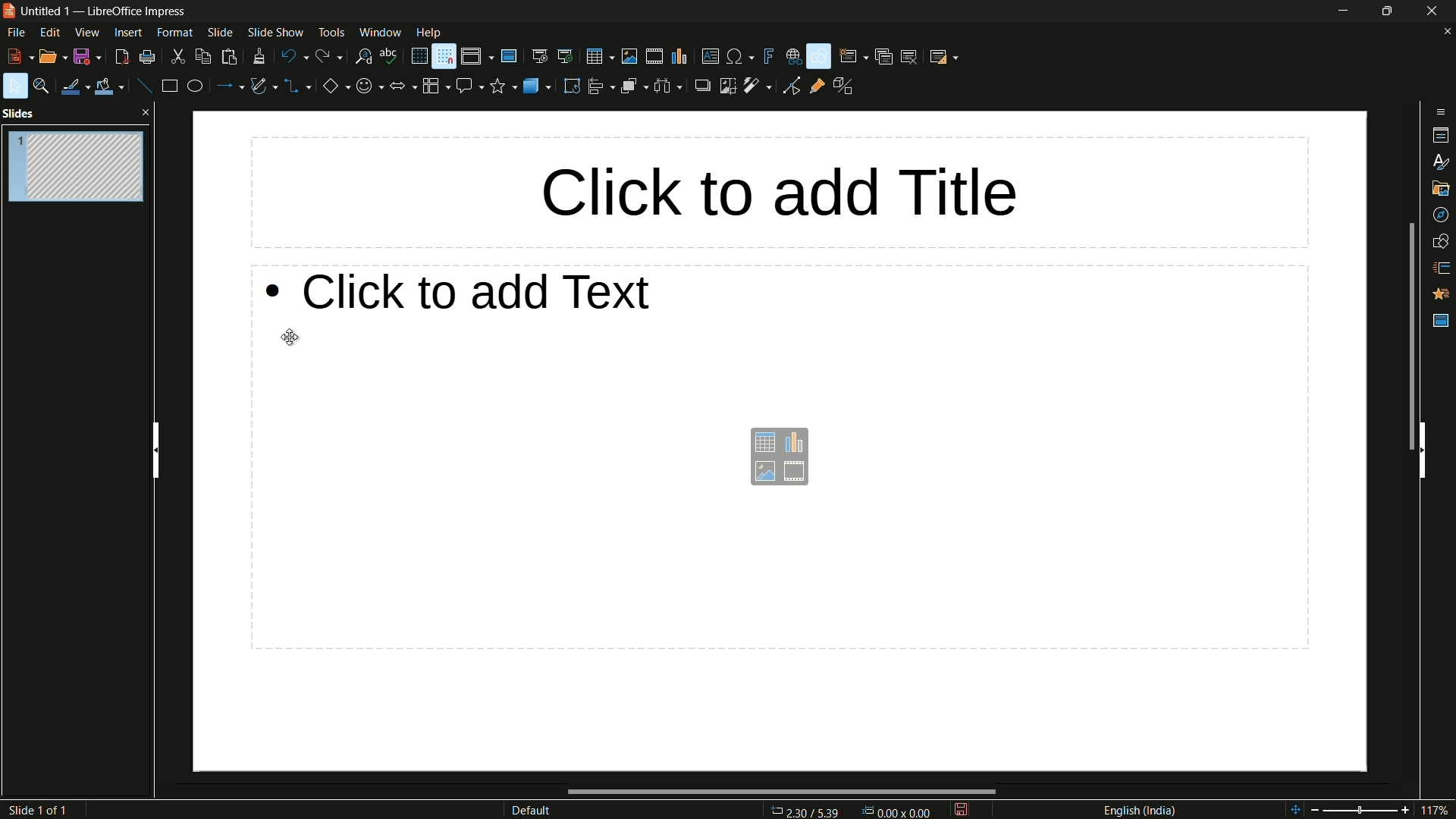 This screenshot has width=1456, height=819. What do you see at coordinates (17, 33) in the screenshot?
I see `file menu` at bounding box center [17, 33].